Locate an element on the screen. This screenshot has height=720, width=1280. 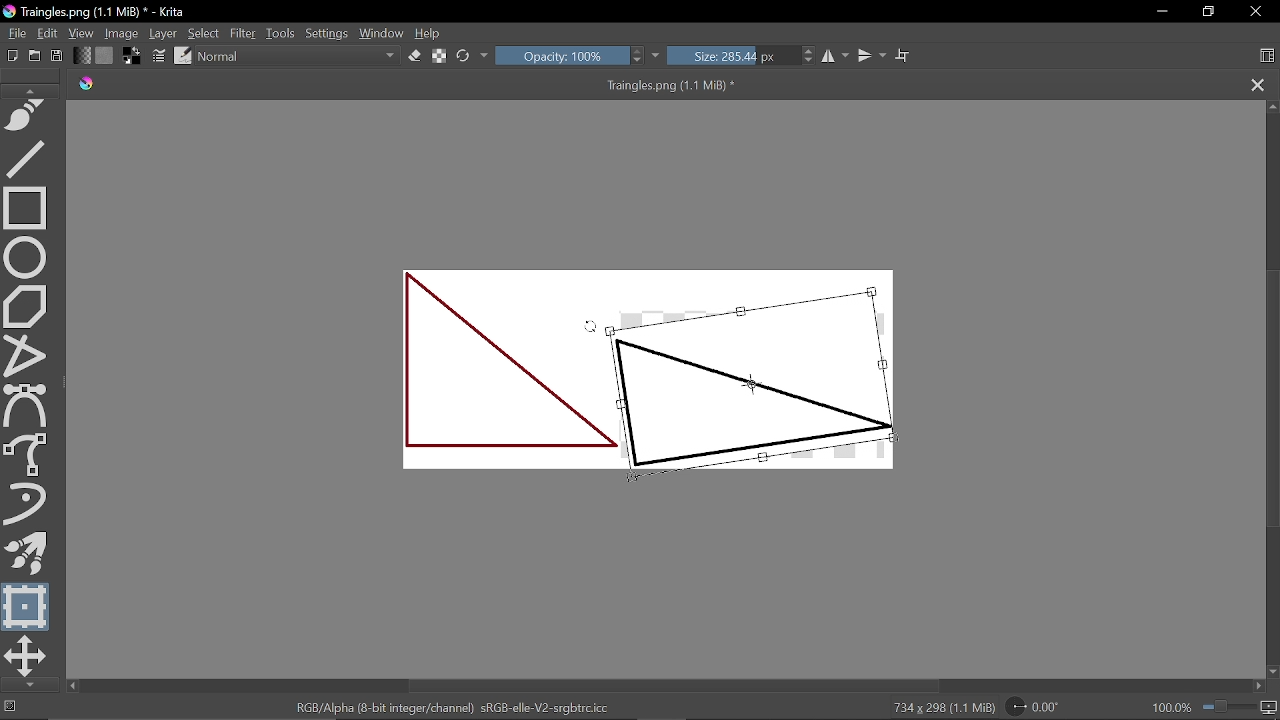
734 x 298 (1.1 MiB) is located at coordinates (938, 708).